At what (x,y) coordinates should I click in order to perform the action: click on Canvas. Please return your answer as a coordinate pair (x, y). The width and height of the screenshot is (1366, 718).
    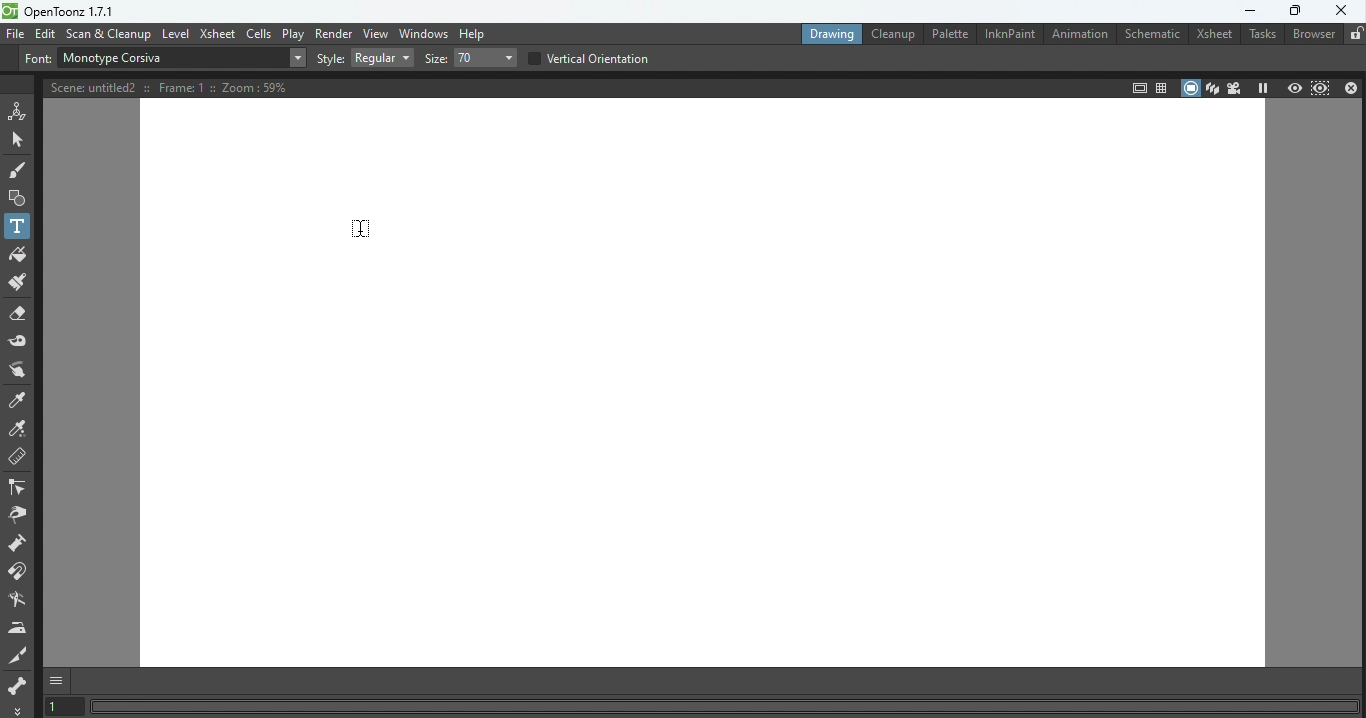
    Looking at the image, I should click on (697, 390).